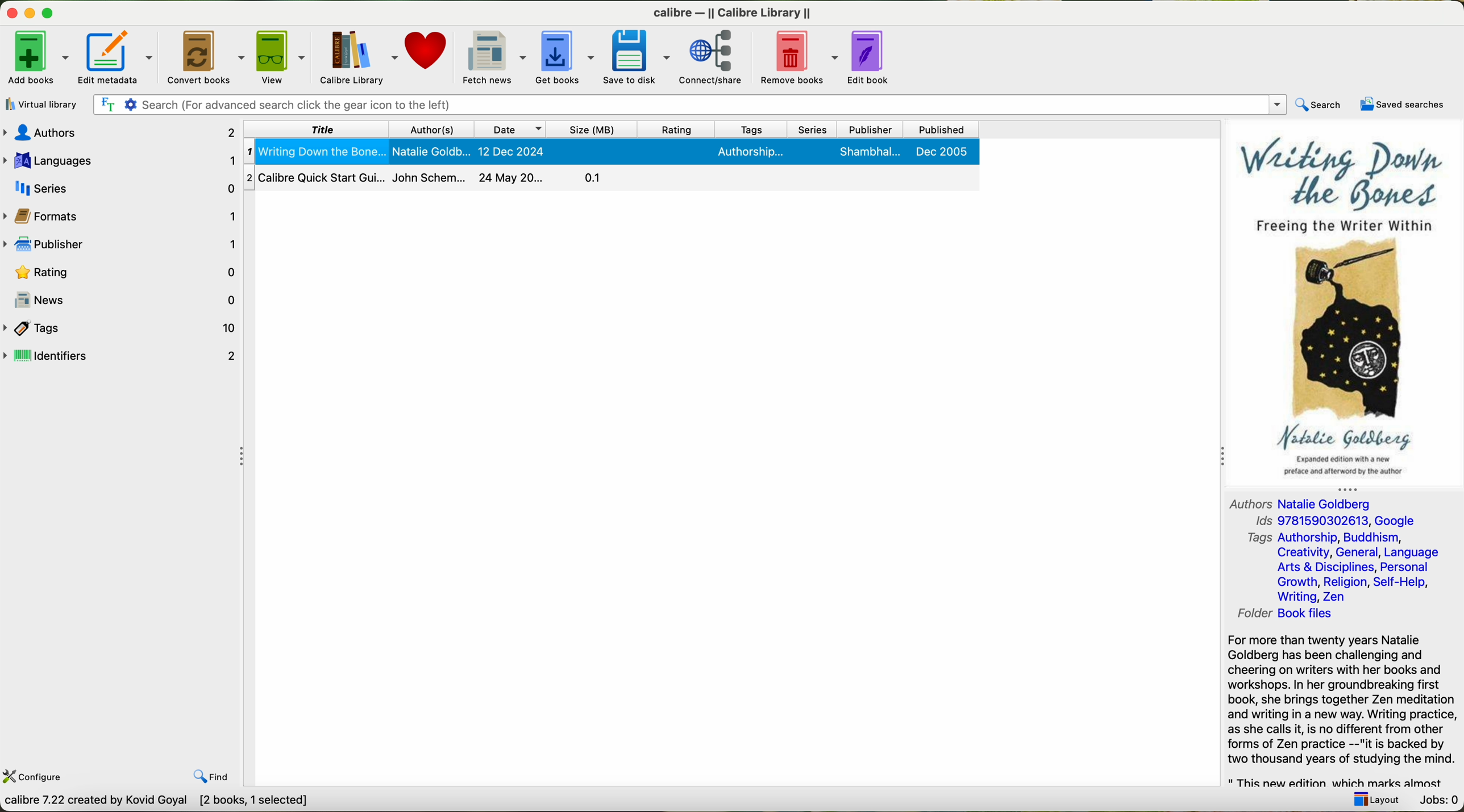 The width and height of the screenshot is (1464, 812). What do you see at coordinates (428, 128) in the screenshot?
I see `authors` at bounding box center [428, 128].